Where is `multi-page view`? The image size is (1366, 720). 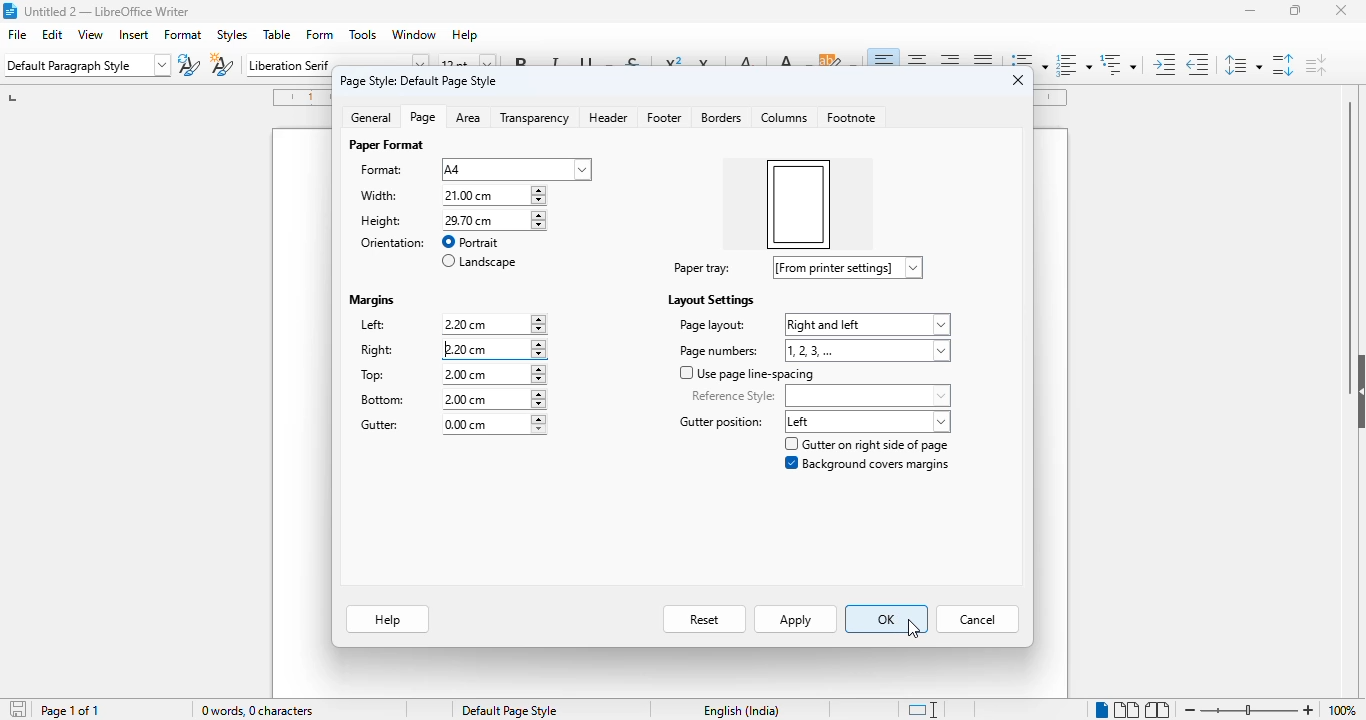 multi-page view is located at coordinates (1126, 709).